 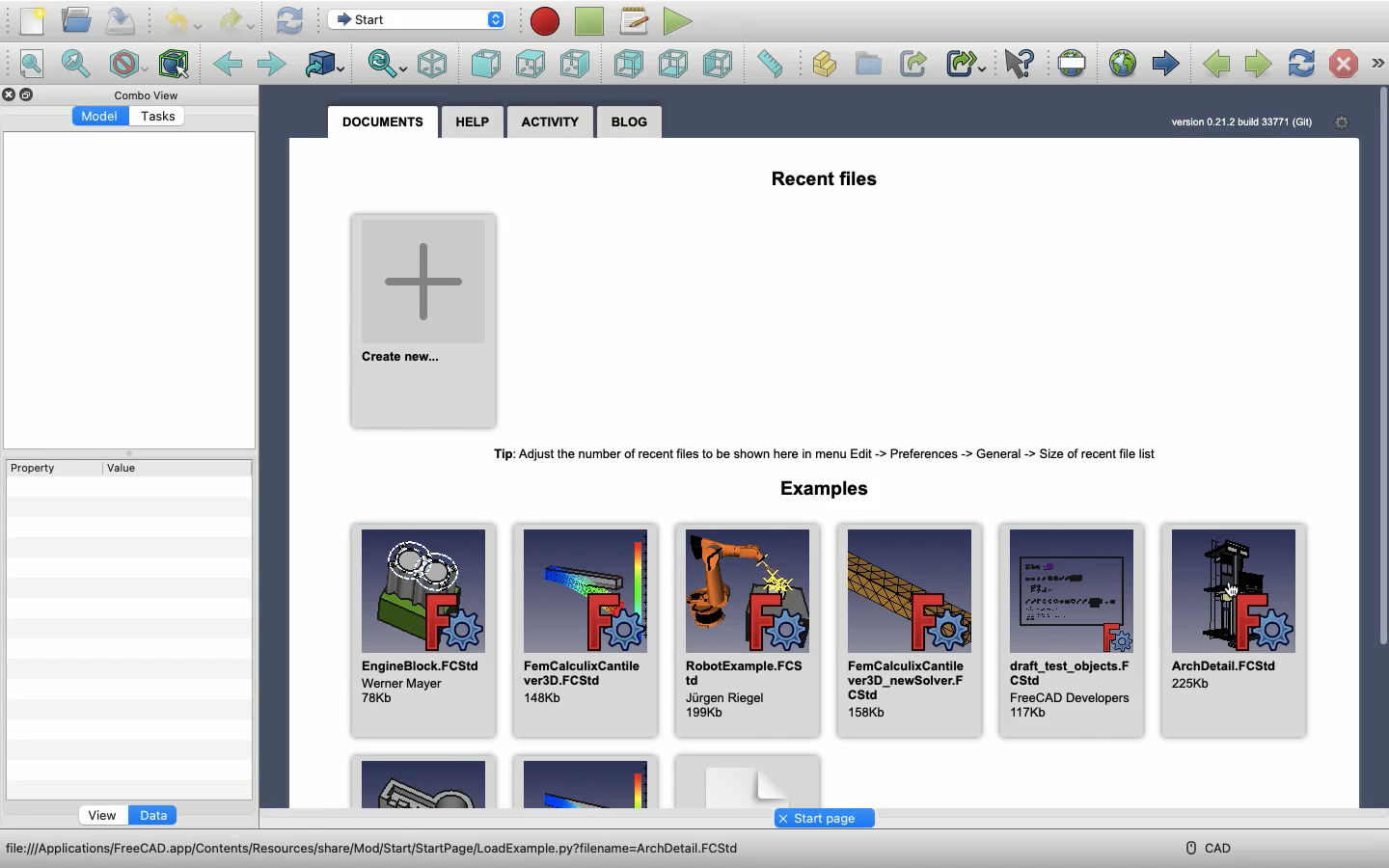 What do you see at coordinates (1299, 64) in the screenshot?
I see `Refresh web page` at bounding box center [1299, 64].